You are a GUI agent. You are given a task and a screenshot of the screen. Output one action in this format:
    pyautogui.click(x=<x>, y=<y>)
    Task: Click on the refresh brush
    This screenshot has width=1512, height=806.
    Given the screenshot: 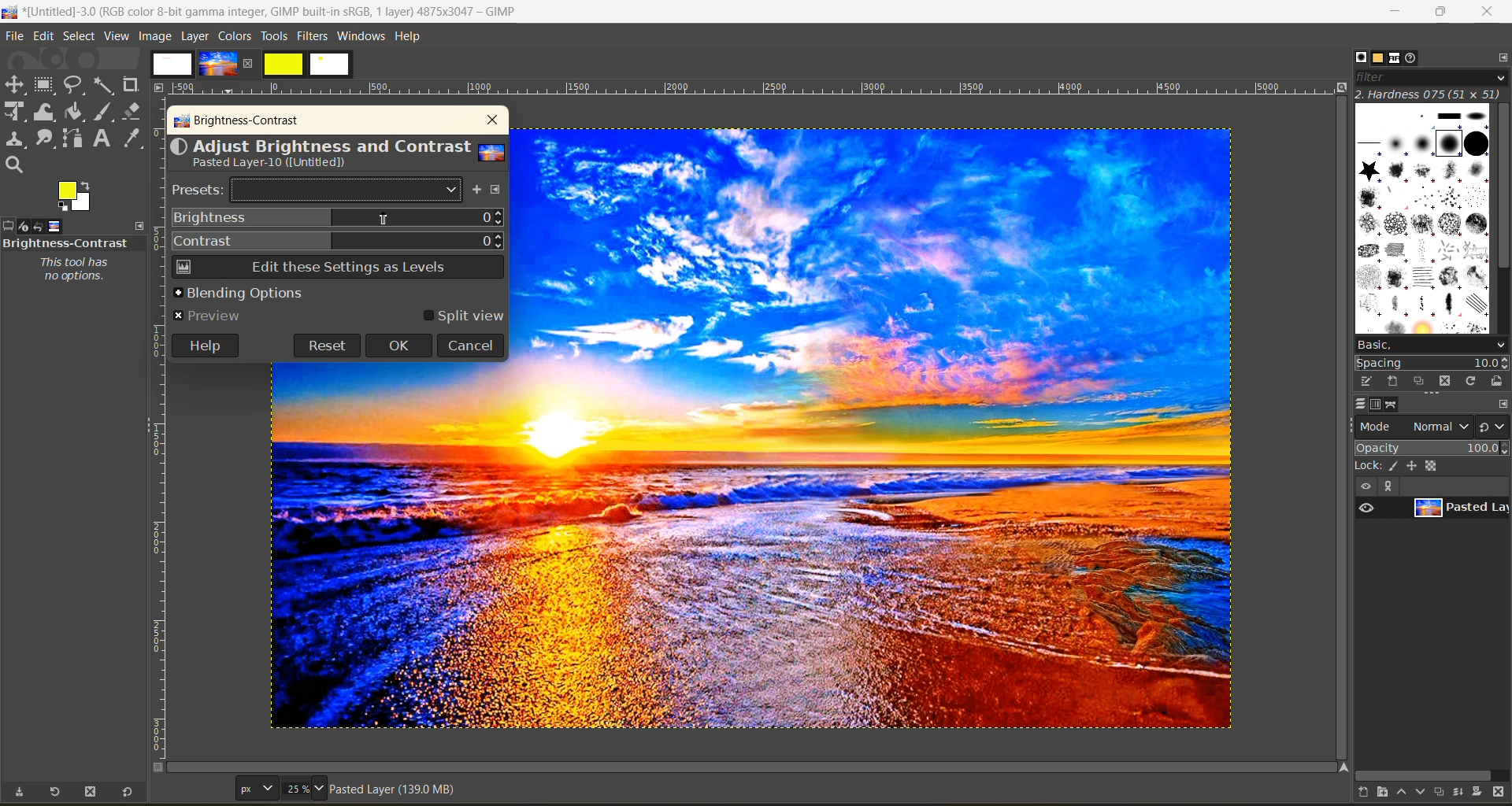 What is the action you would take?
    pyautogui.click(x=1474, y=384)
    